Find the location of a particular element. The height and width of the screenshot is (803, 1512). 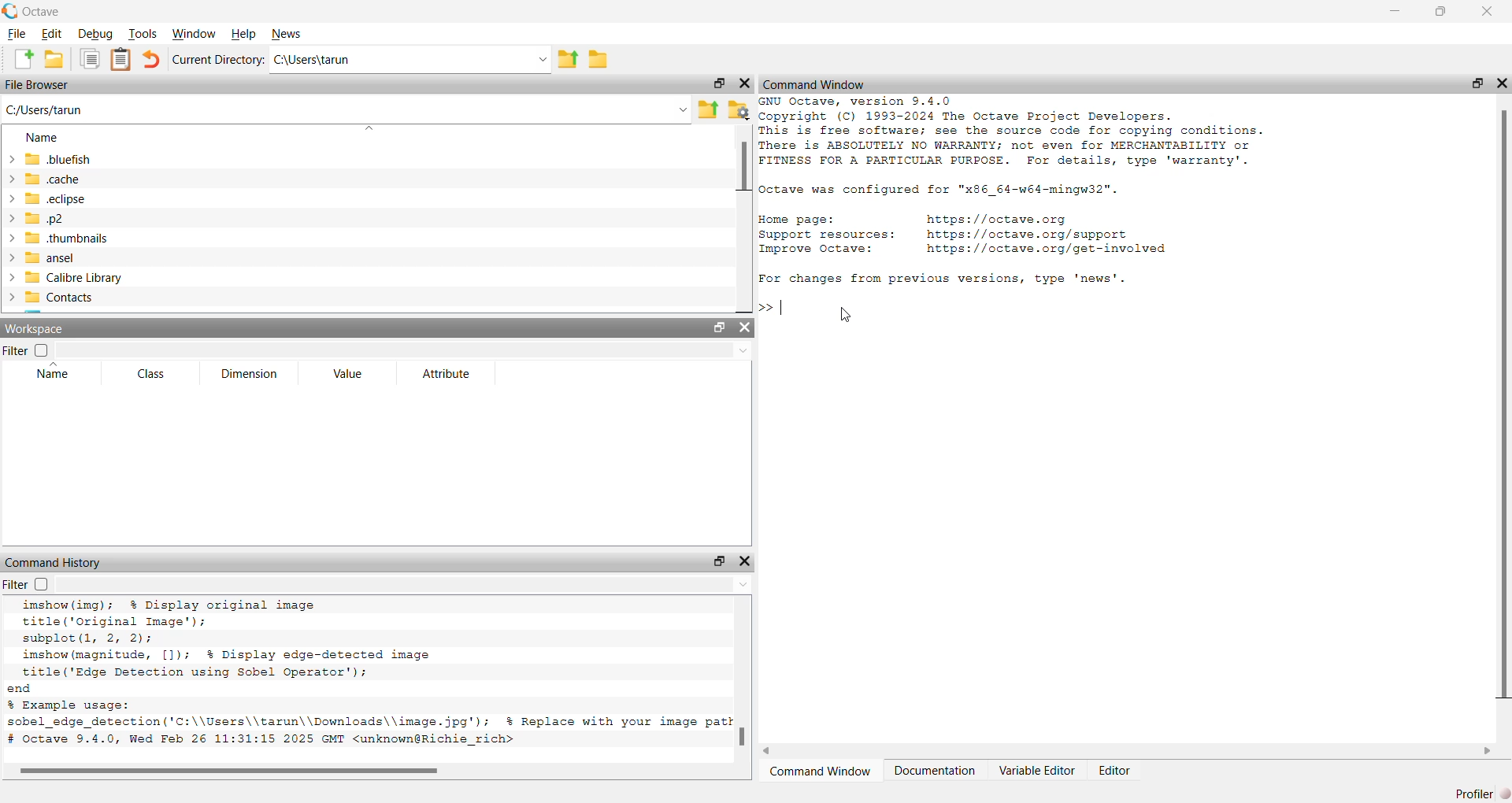

Edit is located at coordinates (54, 33).